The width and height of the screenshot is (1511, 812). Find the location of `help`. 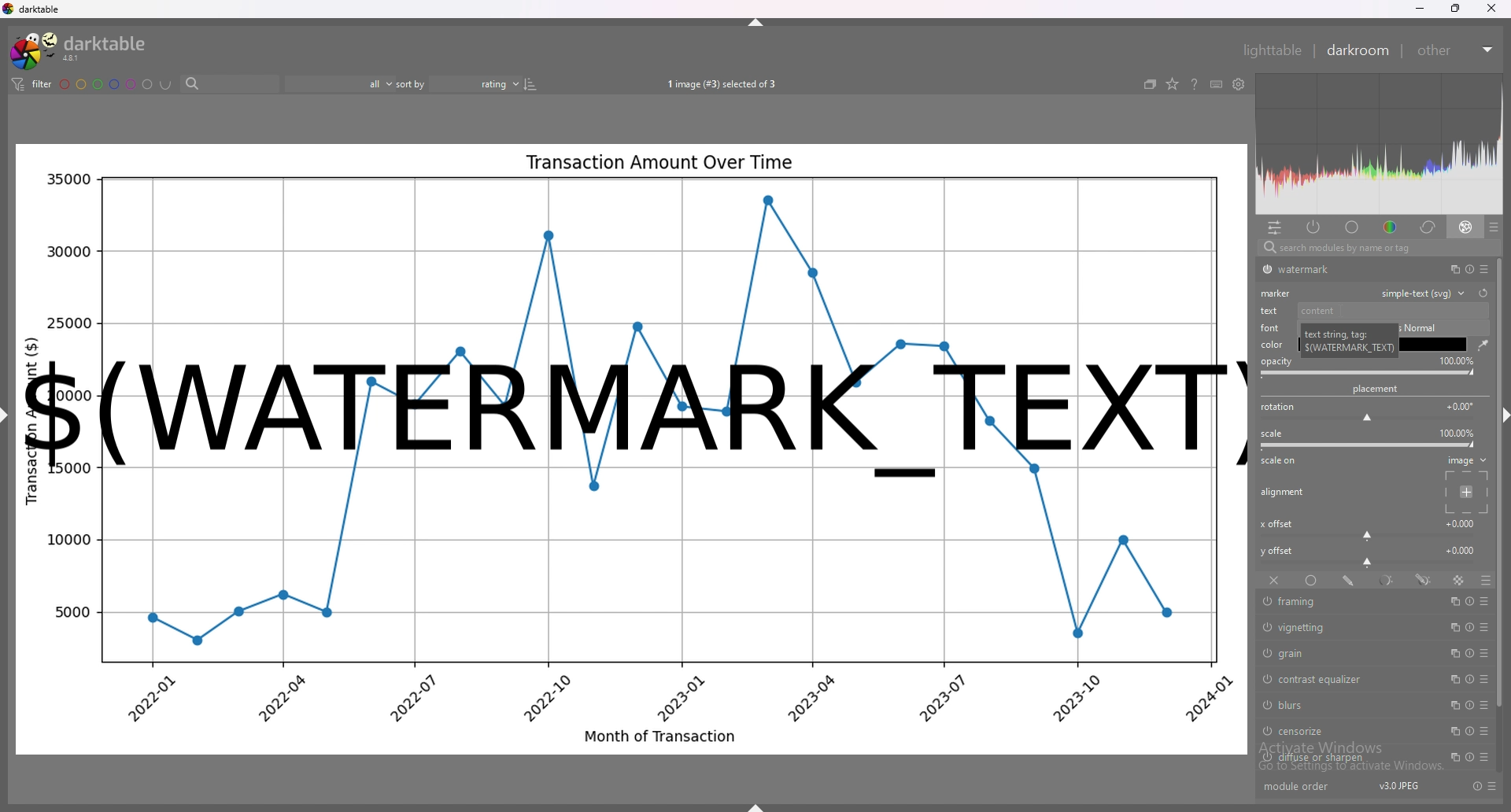

help is located at coordinates (1195, 85).